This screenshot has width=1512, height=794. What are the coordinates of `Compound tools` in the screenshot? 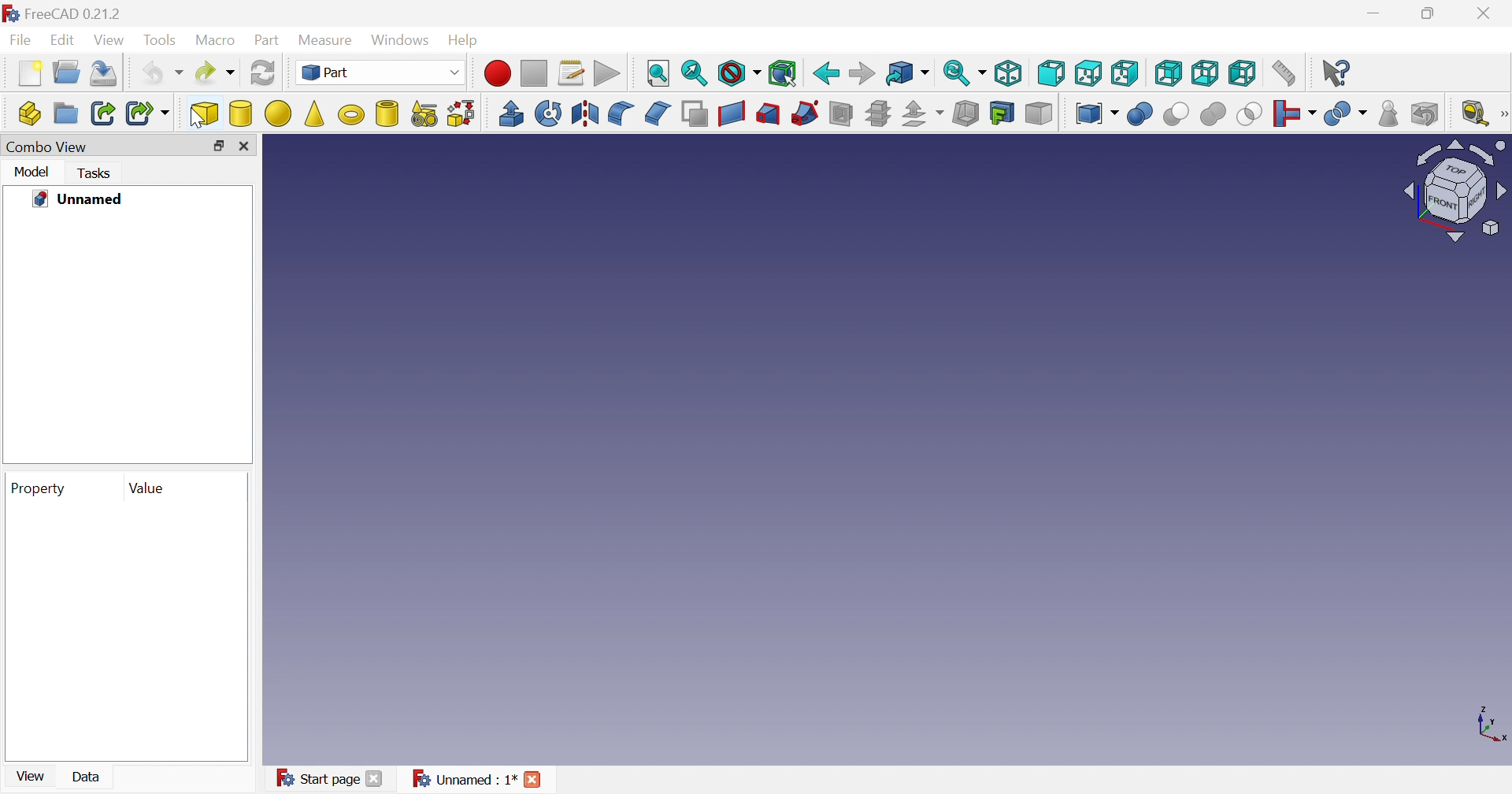 It's located at (1096, 113).